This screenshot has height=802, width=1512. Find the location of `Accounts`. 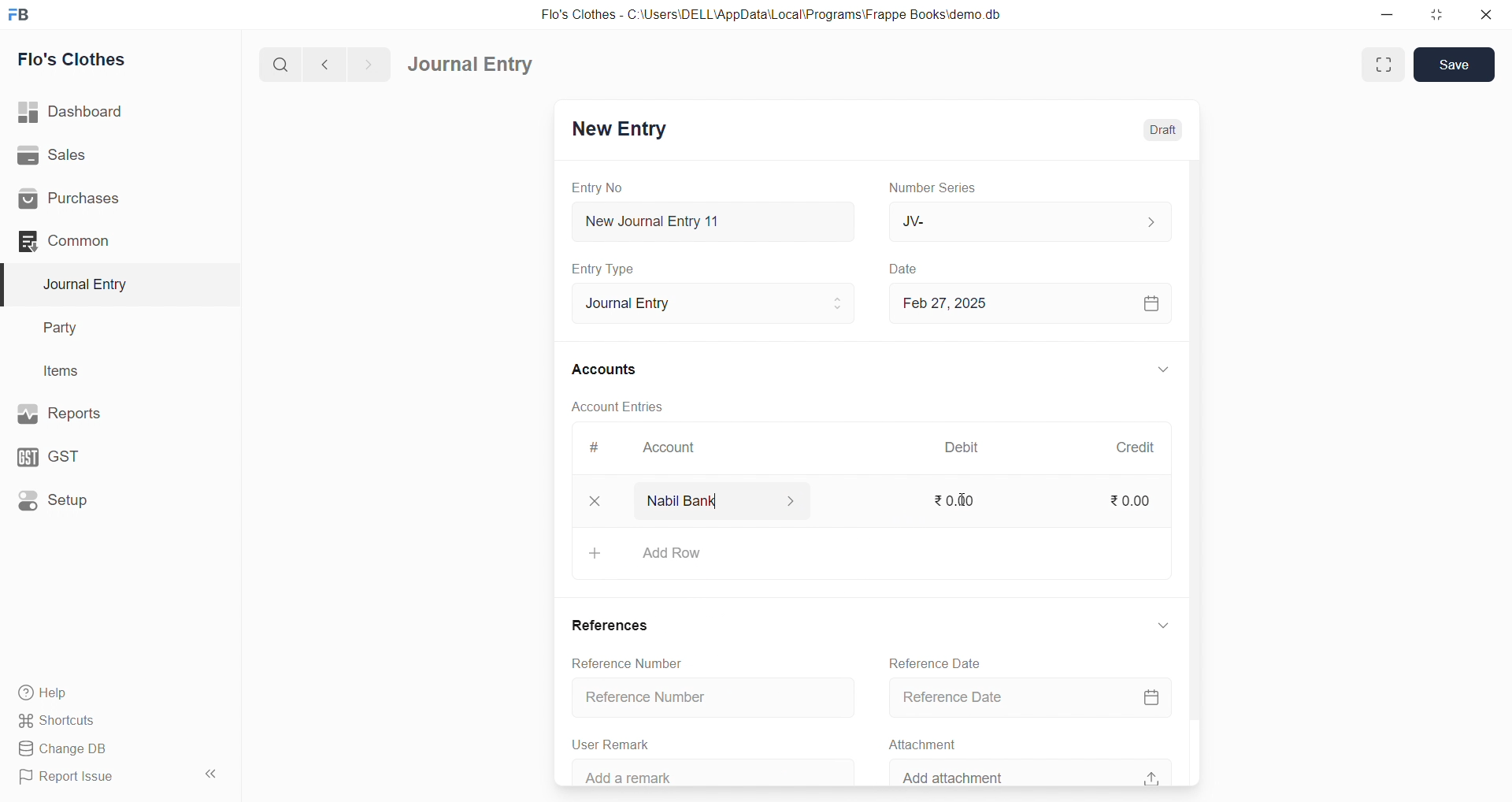

Accounts is located at coordinates (605, 370).